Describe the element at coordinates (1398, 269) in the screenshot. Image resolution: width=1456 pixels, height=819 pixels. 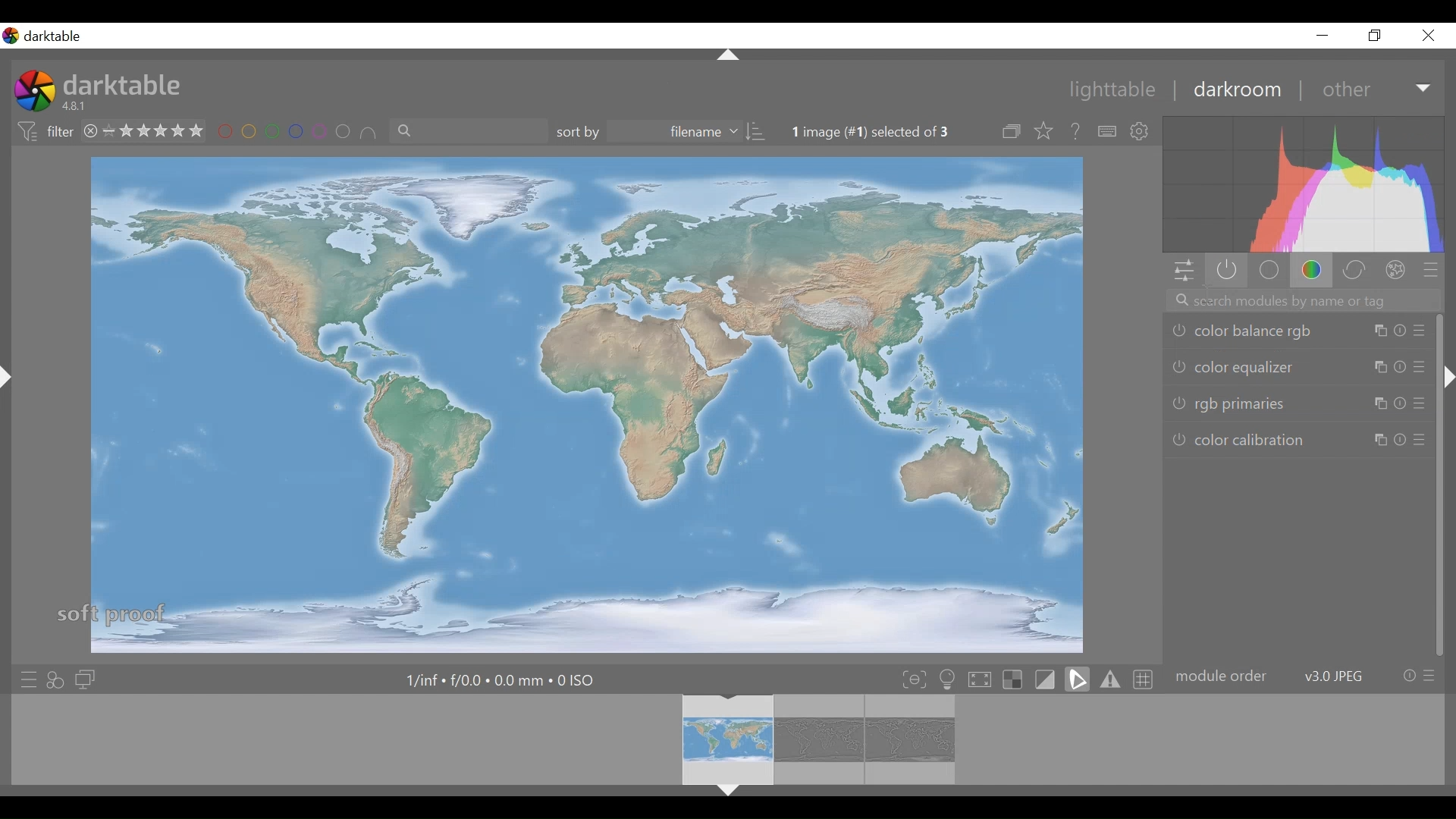
I see `effect` at that location.